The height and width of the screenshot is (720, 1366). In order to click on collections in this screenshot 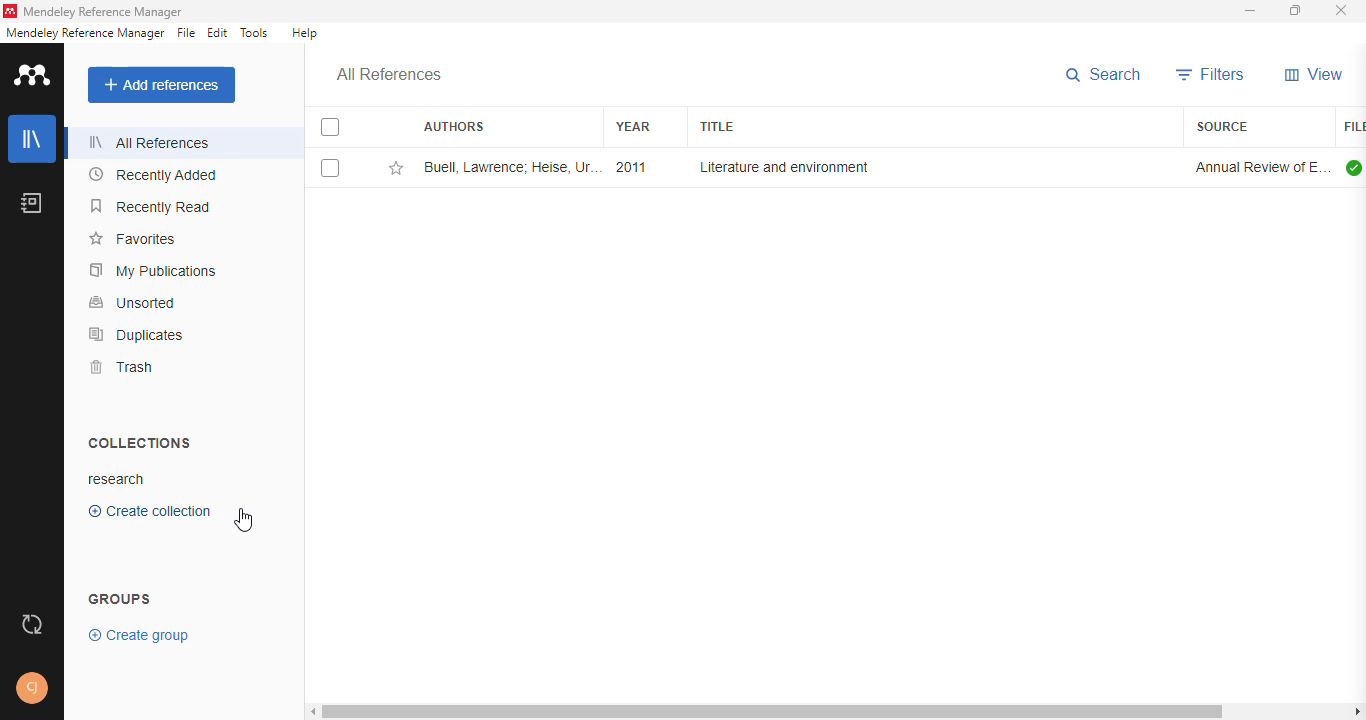, I will do `click(141, 443)`.